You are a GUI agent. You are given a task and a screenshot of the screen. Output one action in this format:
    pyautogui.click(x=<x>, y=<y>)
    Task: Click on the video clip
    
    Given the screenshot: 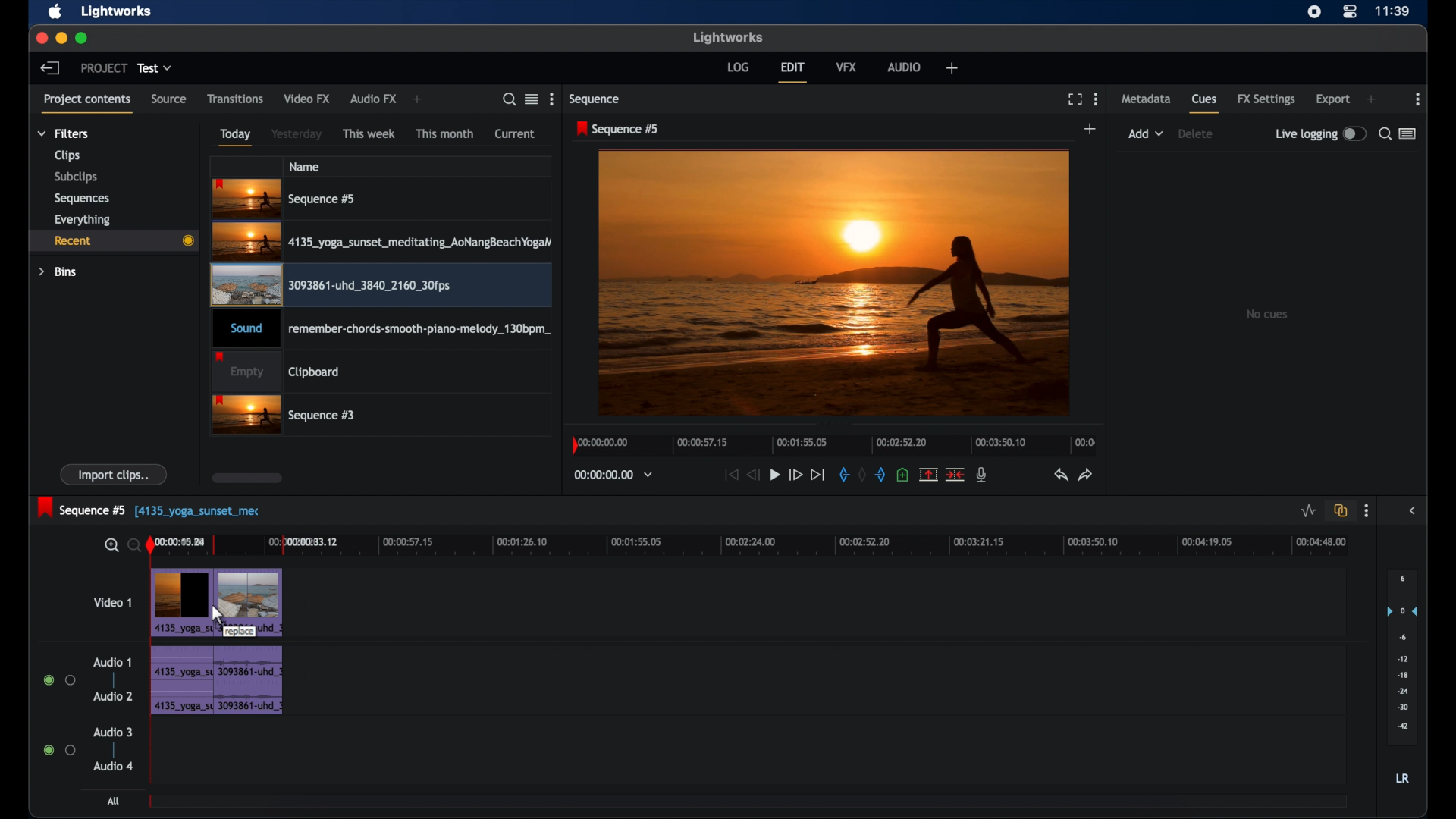 What is the action you would take?
    pyautogui.click(x=253, y=601)
    